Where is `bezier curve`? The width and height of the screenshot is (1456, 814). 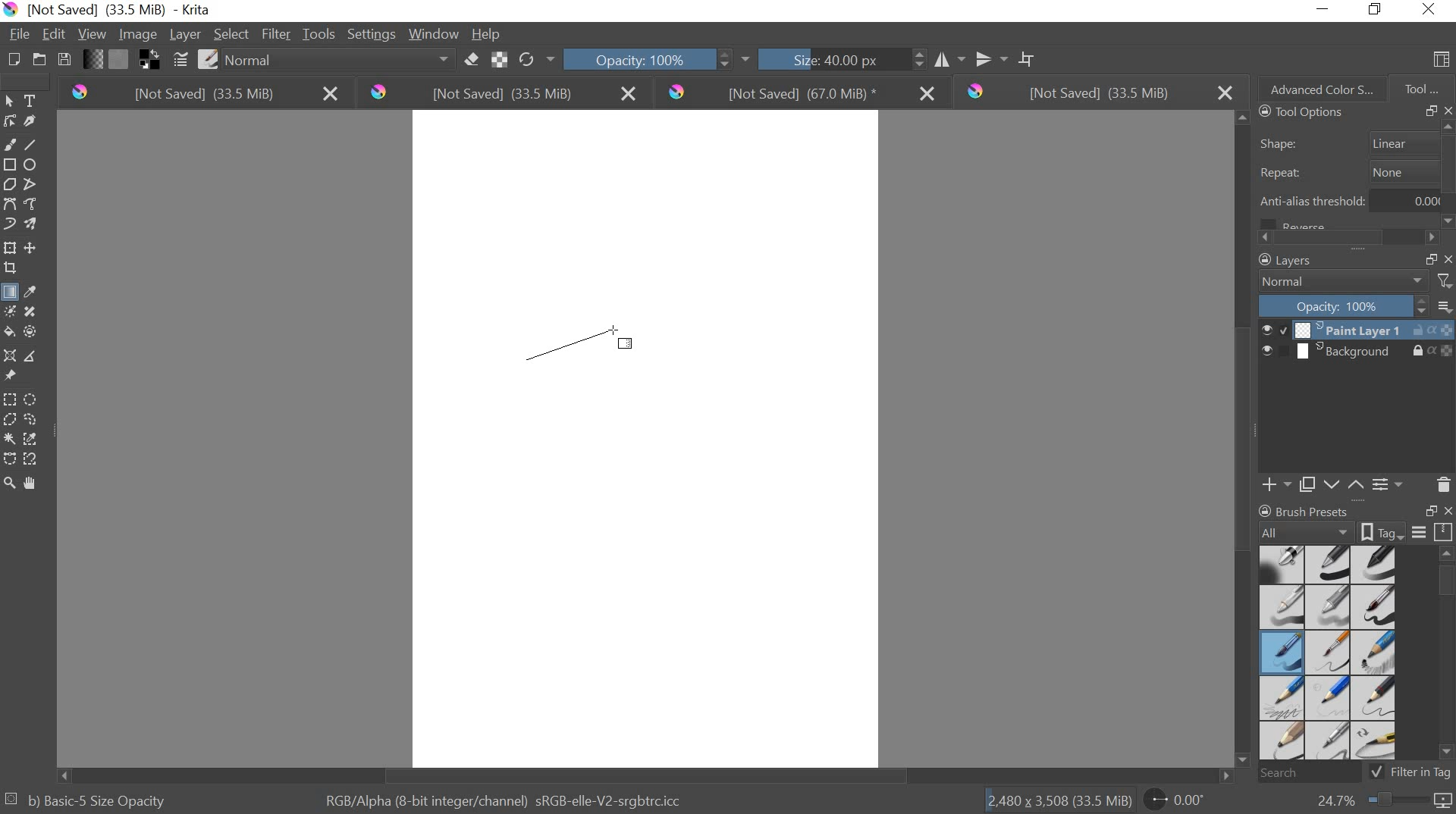 bezier curve is located at coordinates (10, 458).